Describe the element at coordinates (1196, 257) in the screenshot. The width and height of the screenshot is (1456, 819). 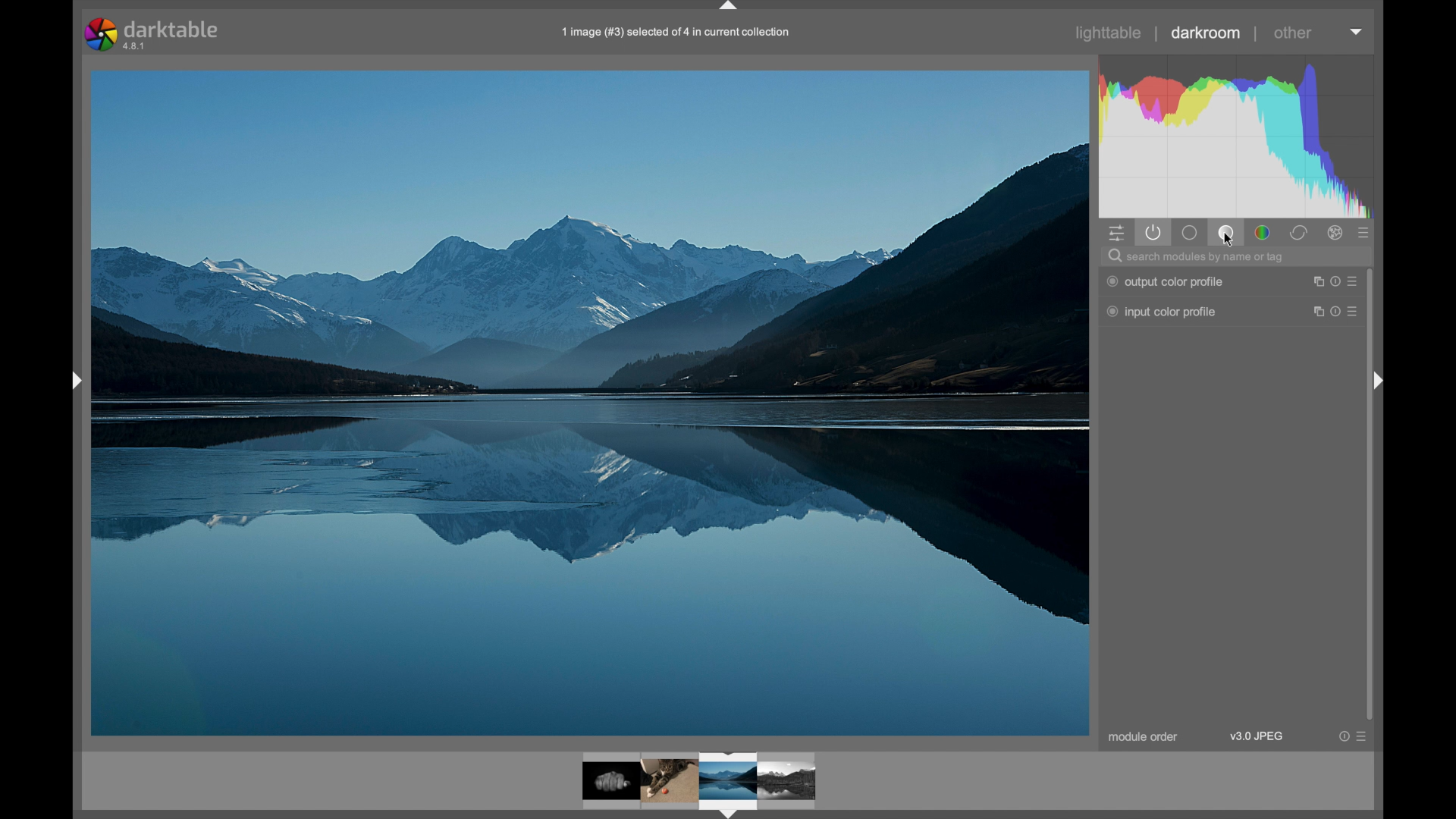
I see `search modules by name or tag` at that location.